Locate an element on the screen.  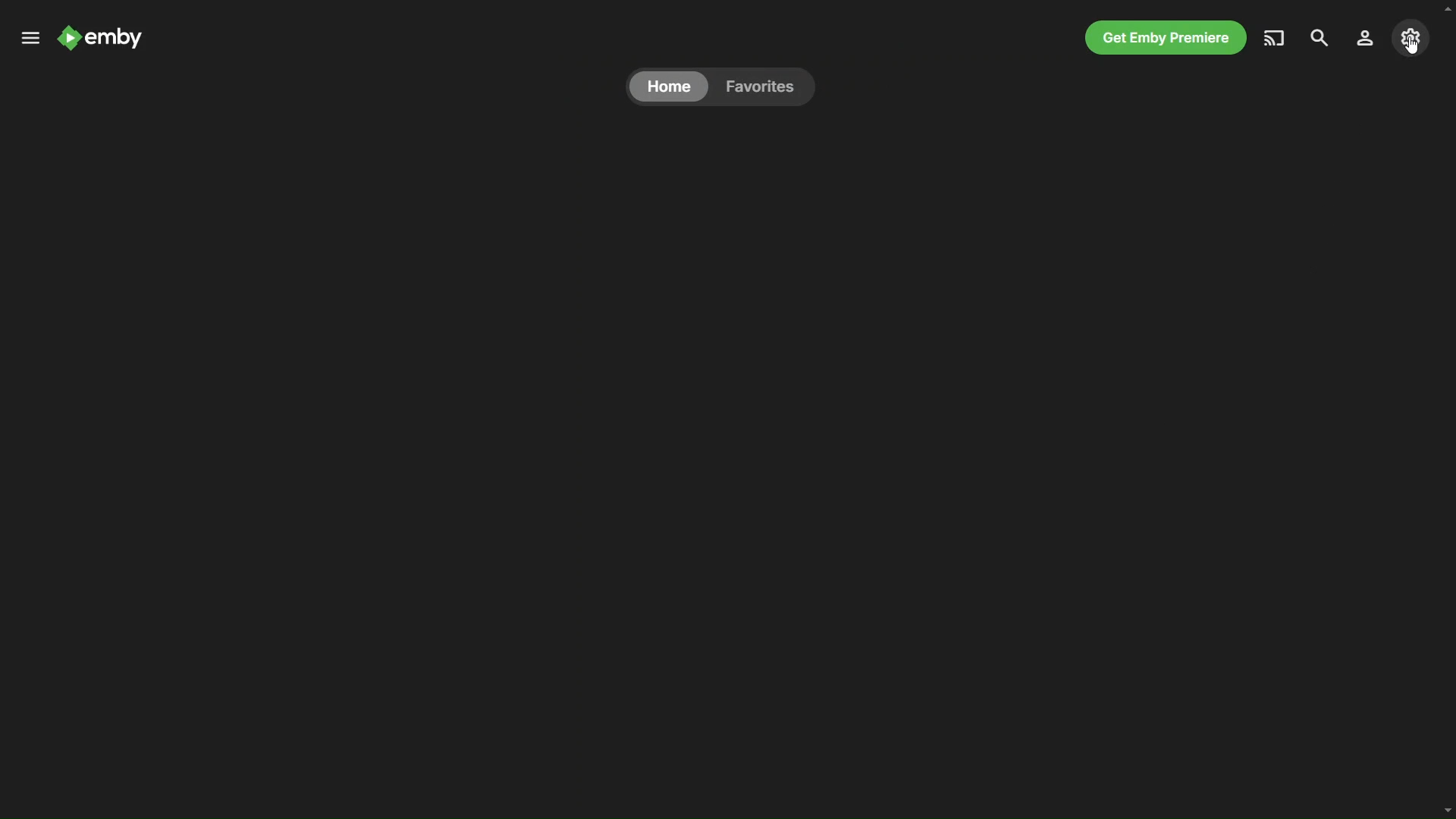
cursor is located at coordinates (1414, 45).